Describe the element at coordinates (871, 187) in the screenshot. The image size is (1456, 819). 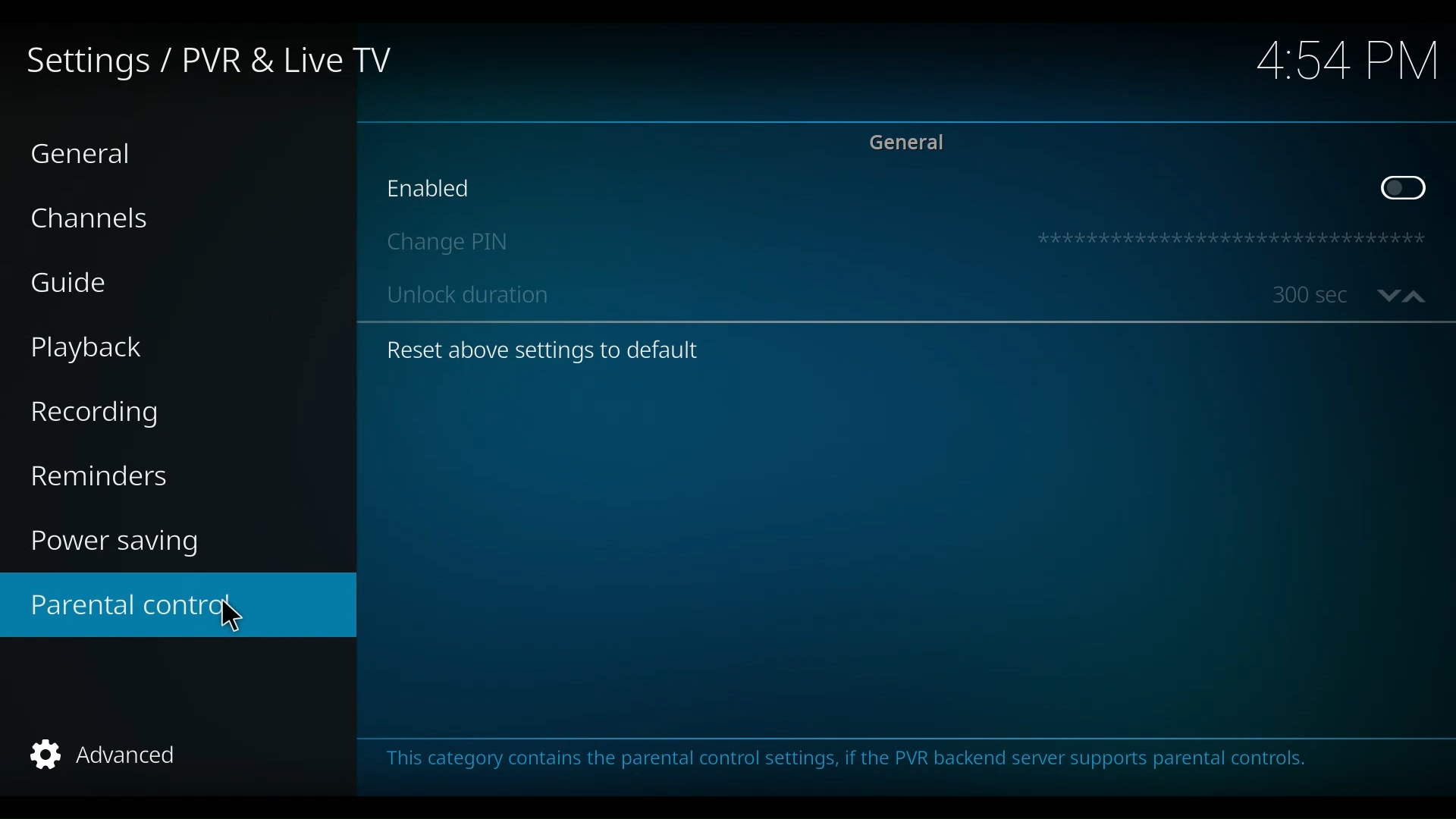
I see `Enabled` at that location.